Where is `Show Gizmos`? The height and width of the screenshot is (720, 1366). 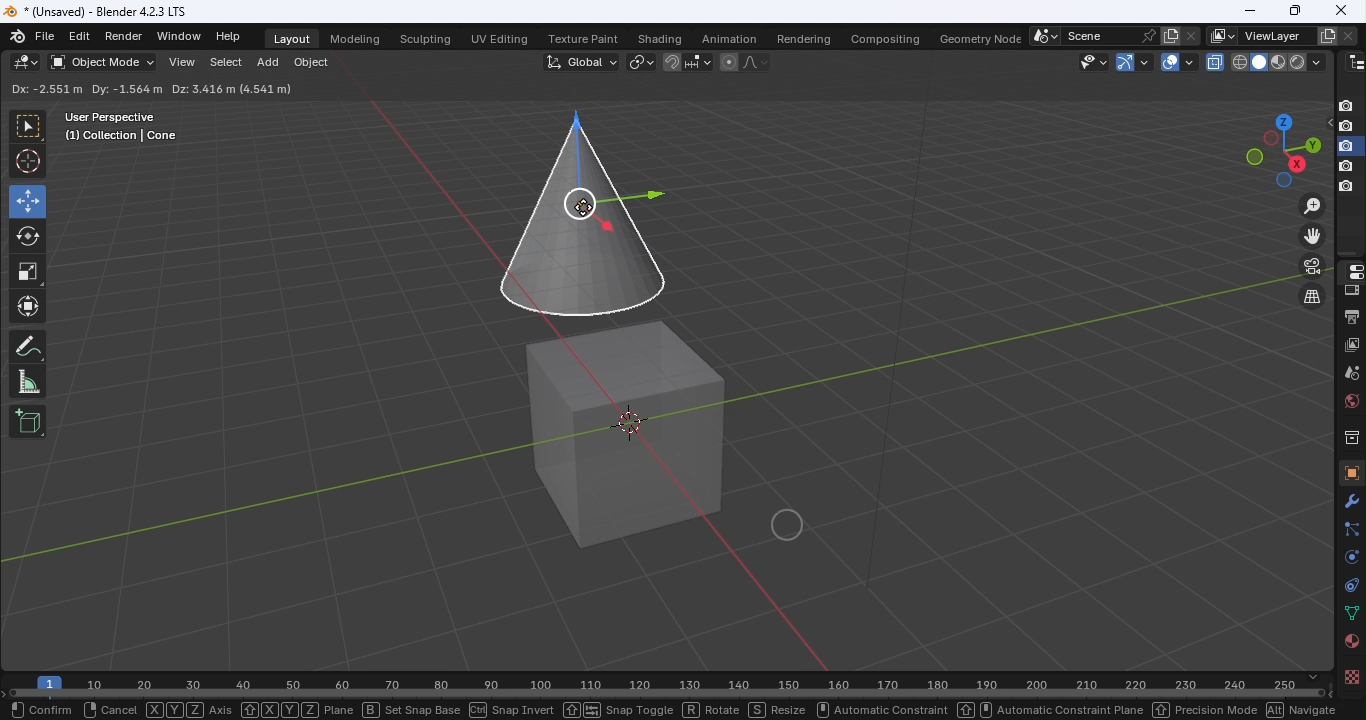 Show Gizmos is located at coordinates (1145, 61).